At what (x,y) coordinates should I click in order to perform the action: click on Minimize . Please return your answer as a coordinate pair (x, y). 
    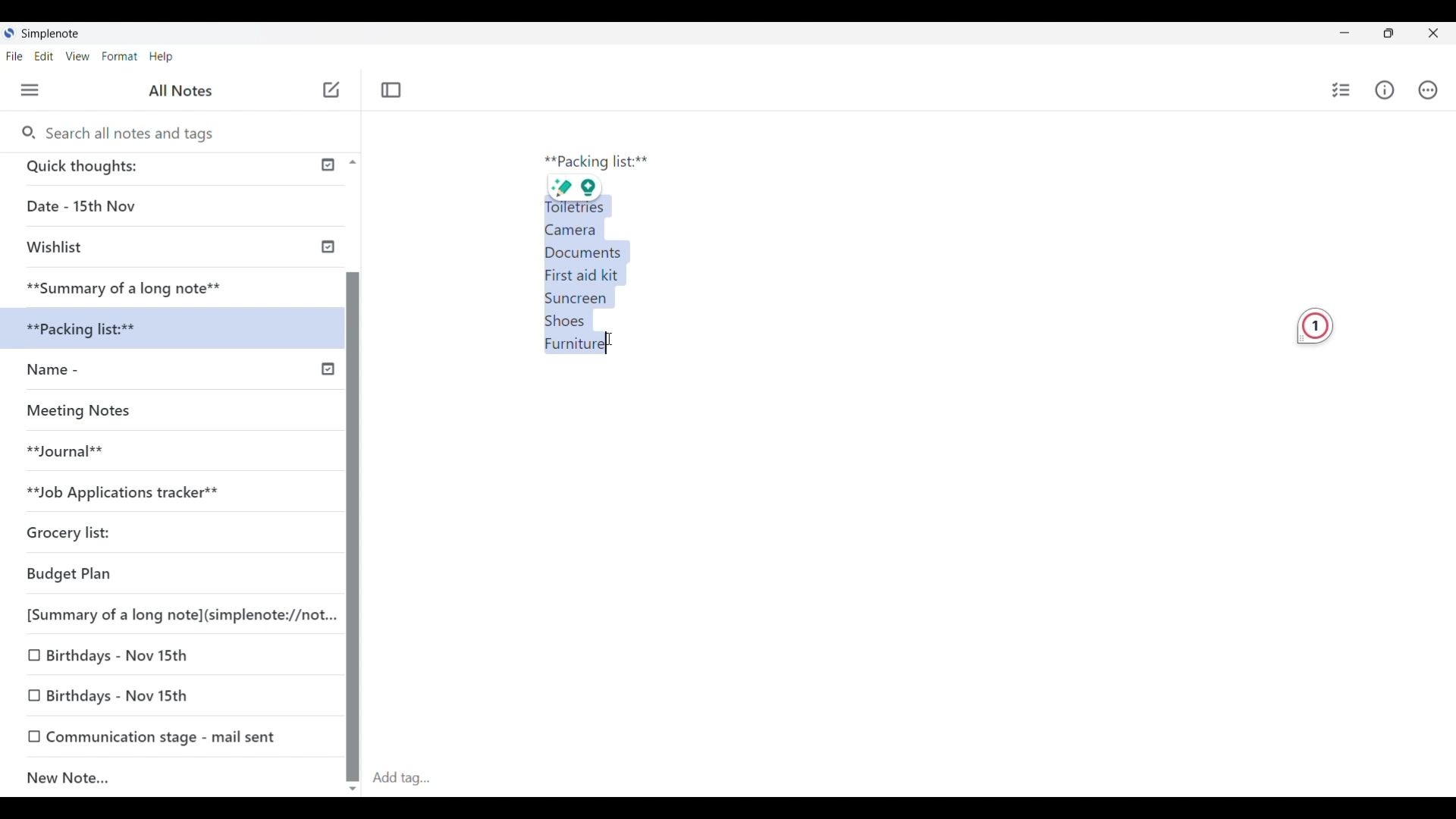
    Looking at the image, I should click on (1345, 33).